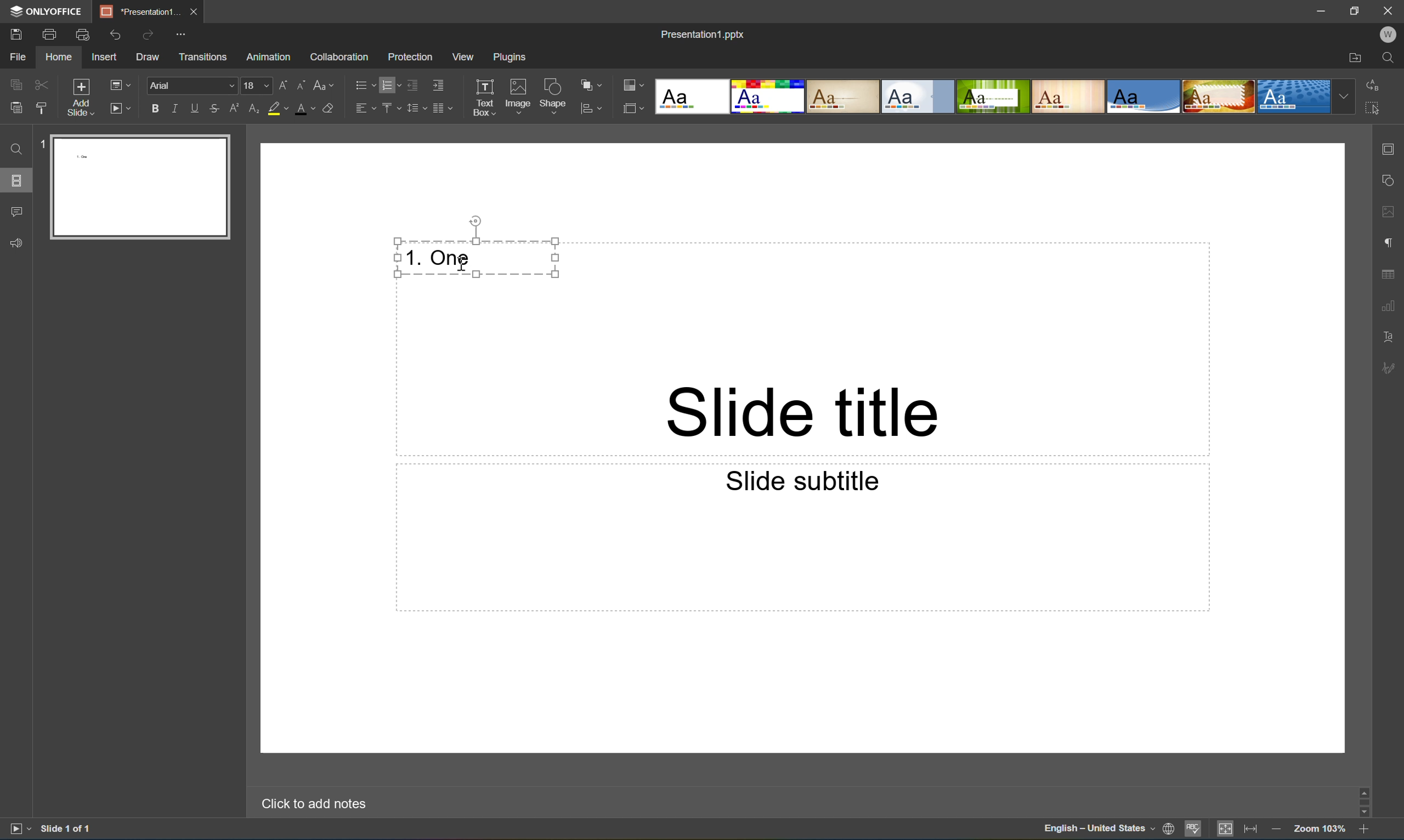 Image resolution: width=1404 pixels, height=840 pixels. I want to click on One, so click(451, 258).